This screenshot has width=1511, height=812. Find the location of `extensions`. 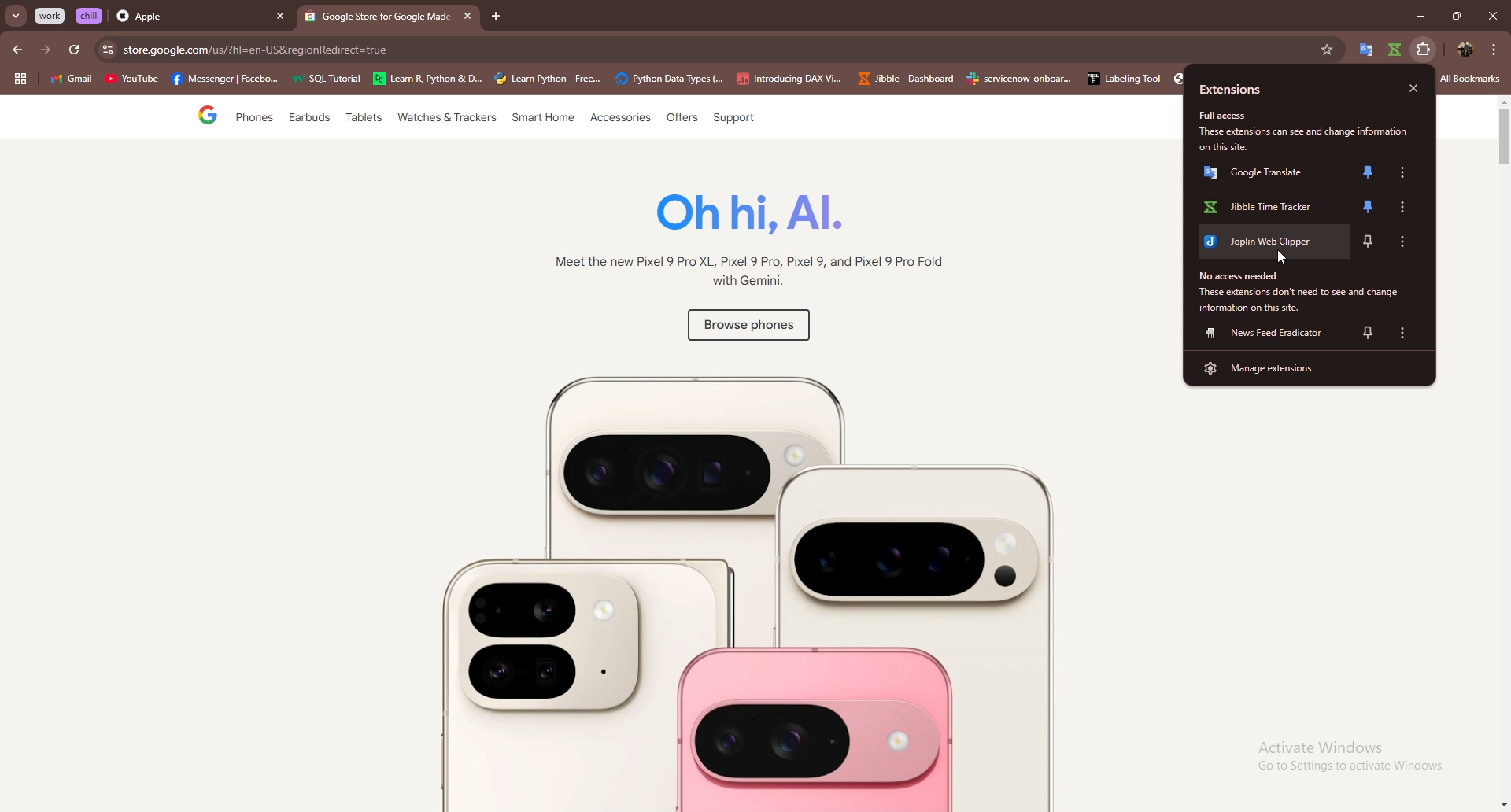

extensions is located at coordinates (1424, 50).